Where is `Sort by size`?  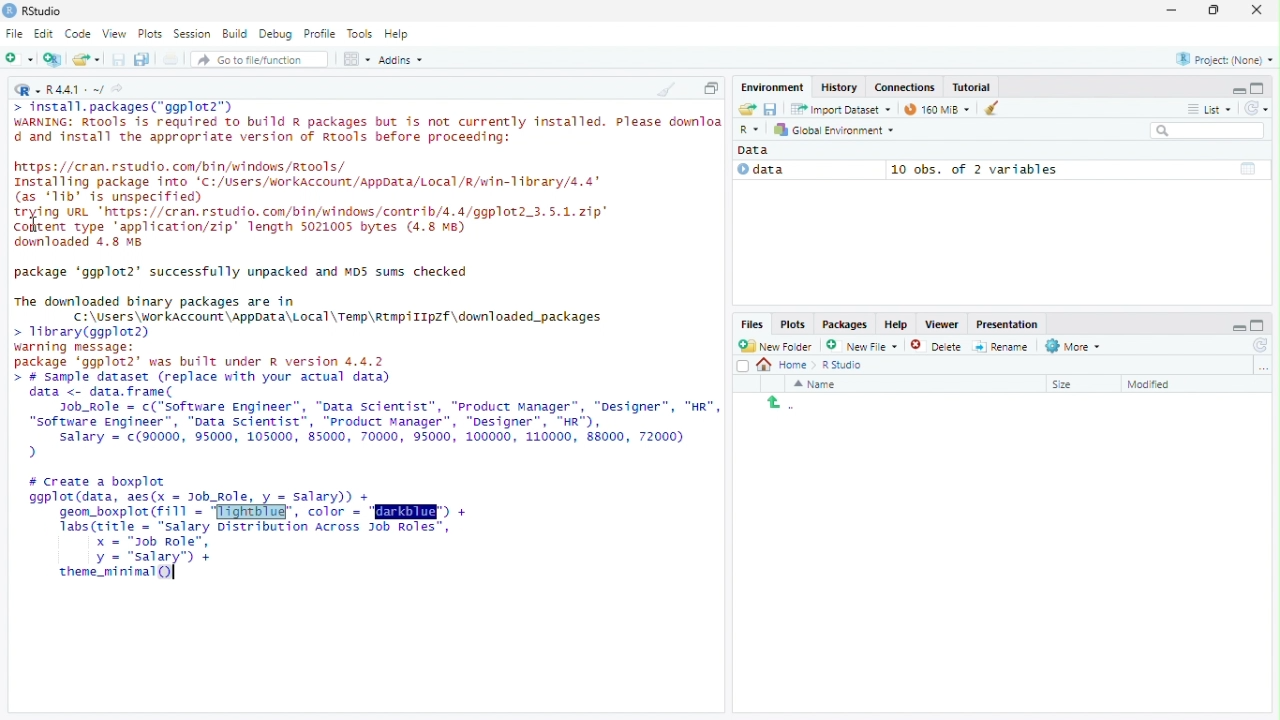
Sort by size is located at coordinates (1077, 383).